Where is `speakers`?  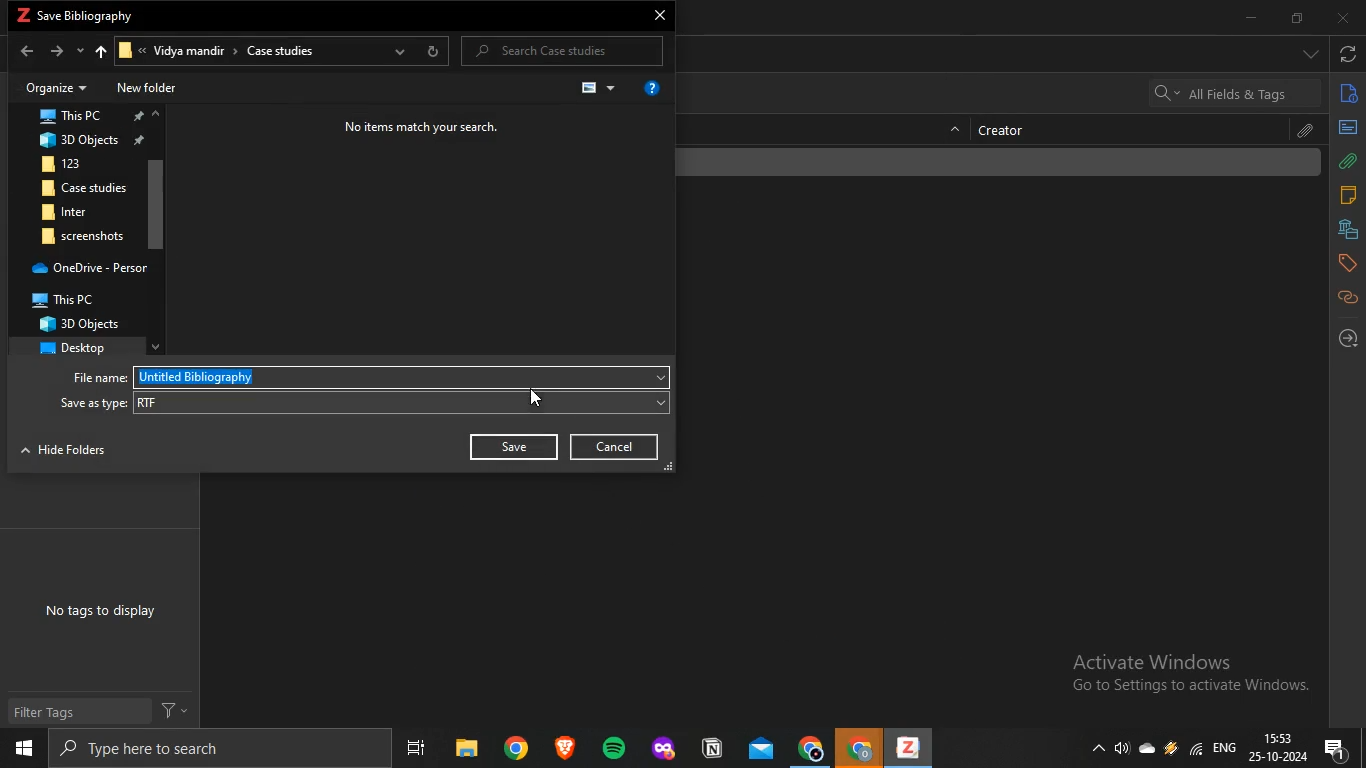
speakers is located at coordinates (1124, 749).